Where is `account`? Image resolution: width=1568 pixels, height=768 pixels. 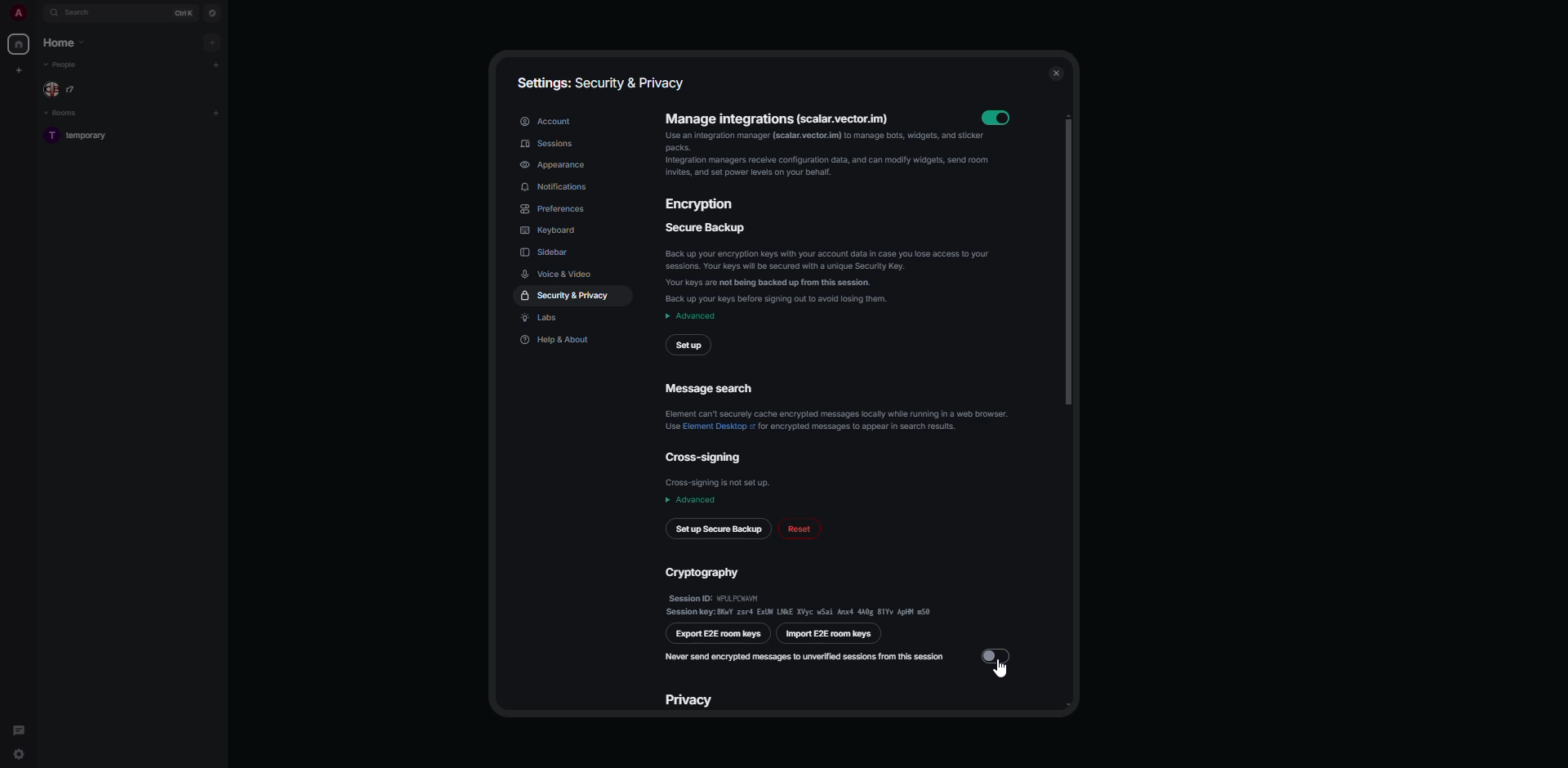
account is located at coordinates (547, 121).